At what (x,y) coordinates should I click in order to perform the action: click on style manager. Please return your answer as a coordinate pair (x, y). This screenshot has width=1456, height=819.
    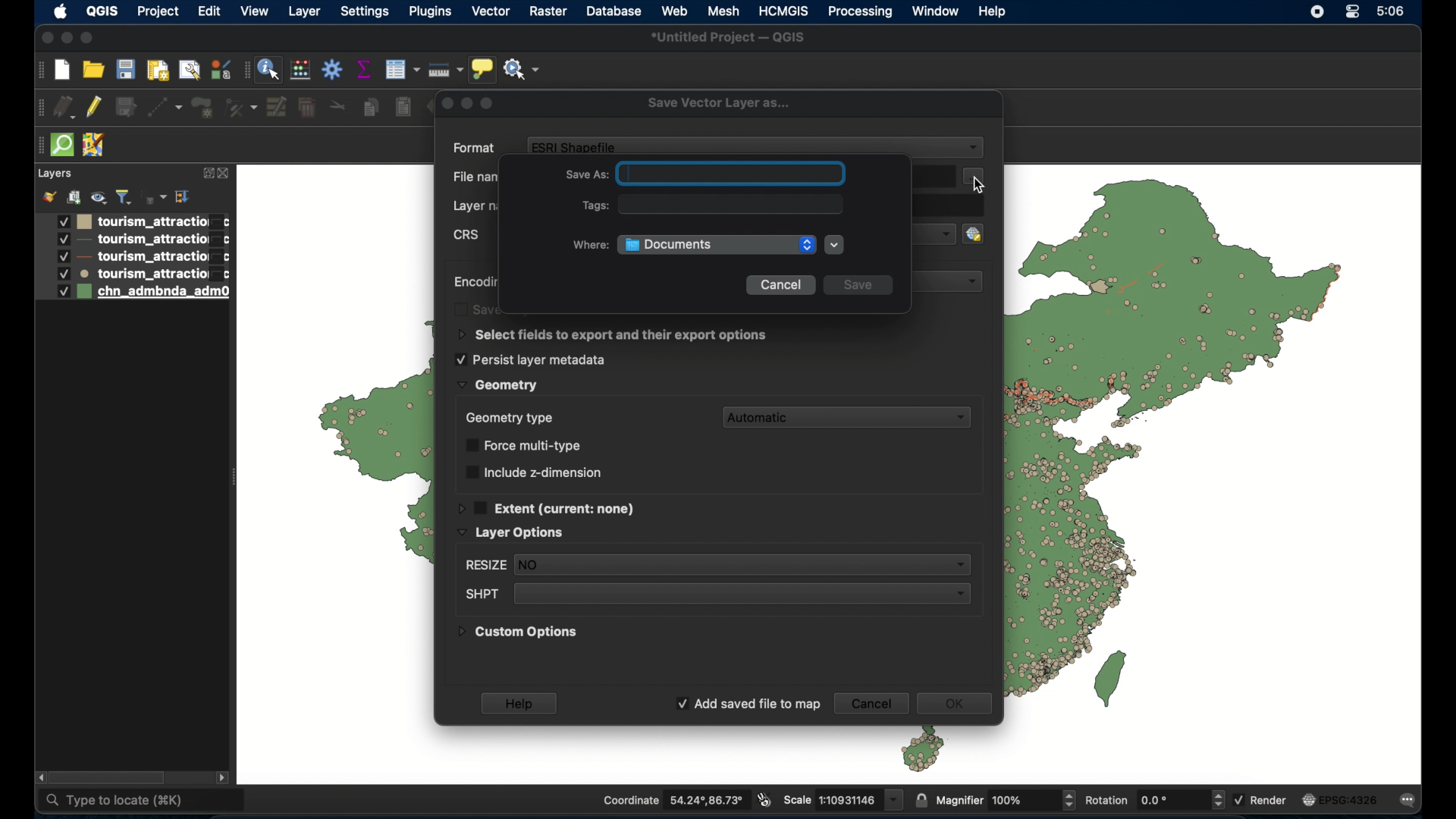
    Looking at the image, I should click on (219, 68).